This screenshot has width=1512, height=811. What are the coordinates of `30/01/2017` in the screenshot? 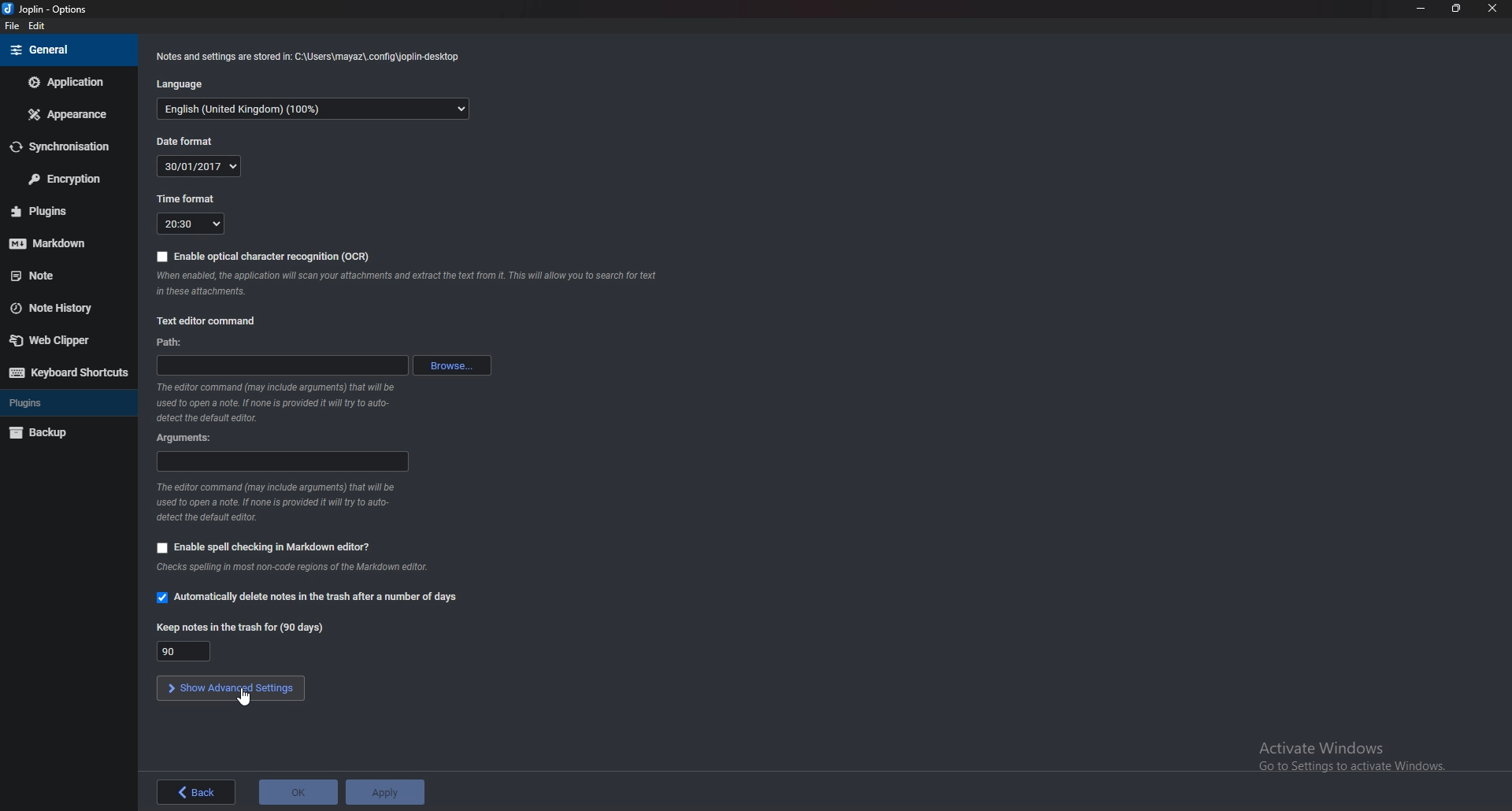 It's located at (198, 166).